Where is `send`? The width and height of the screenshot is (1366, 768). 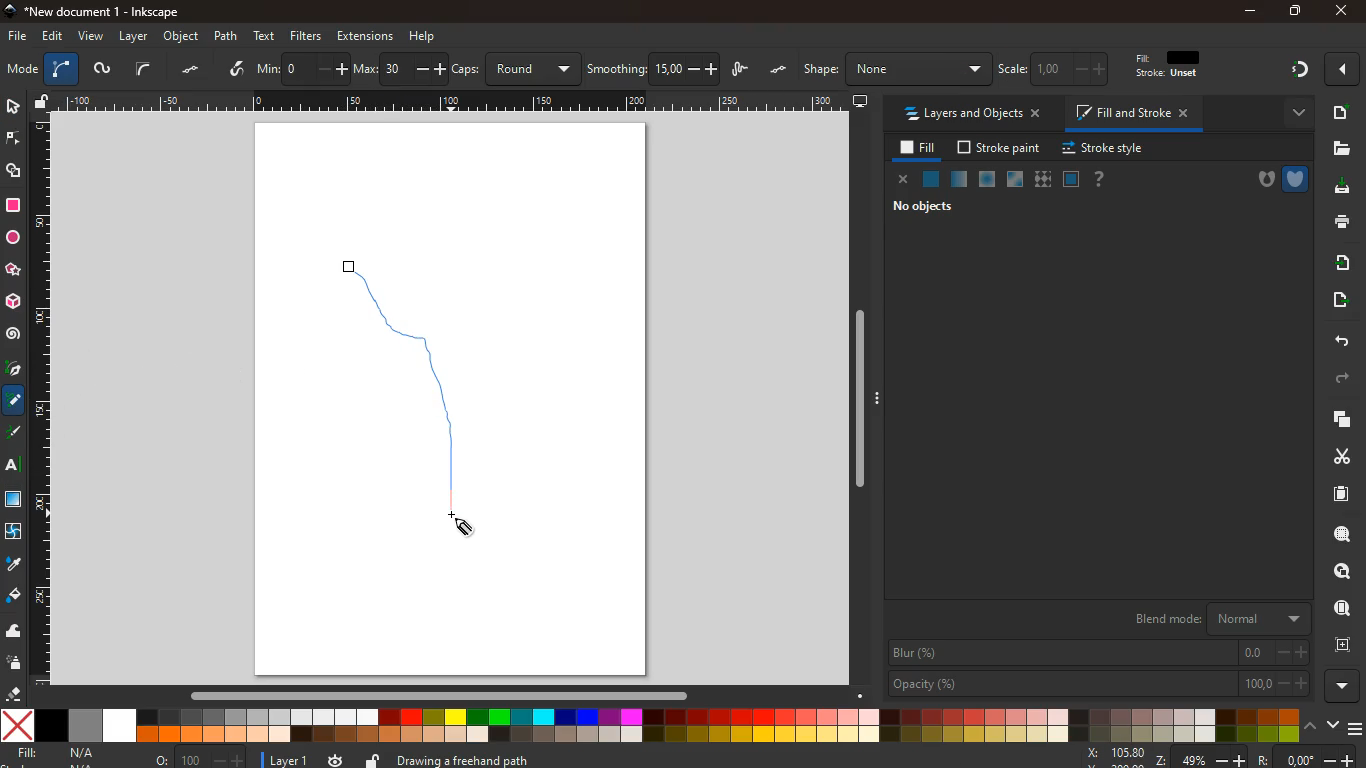 send is located at coordinates (1343, 302).